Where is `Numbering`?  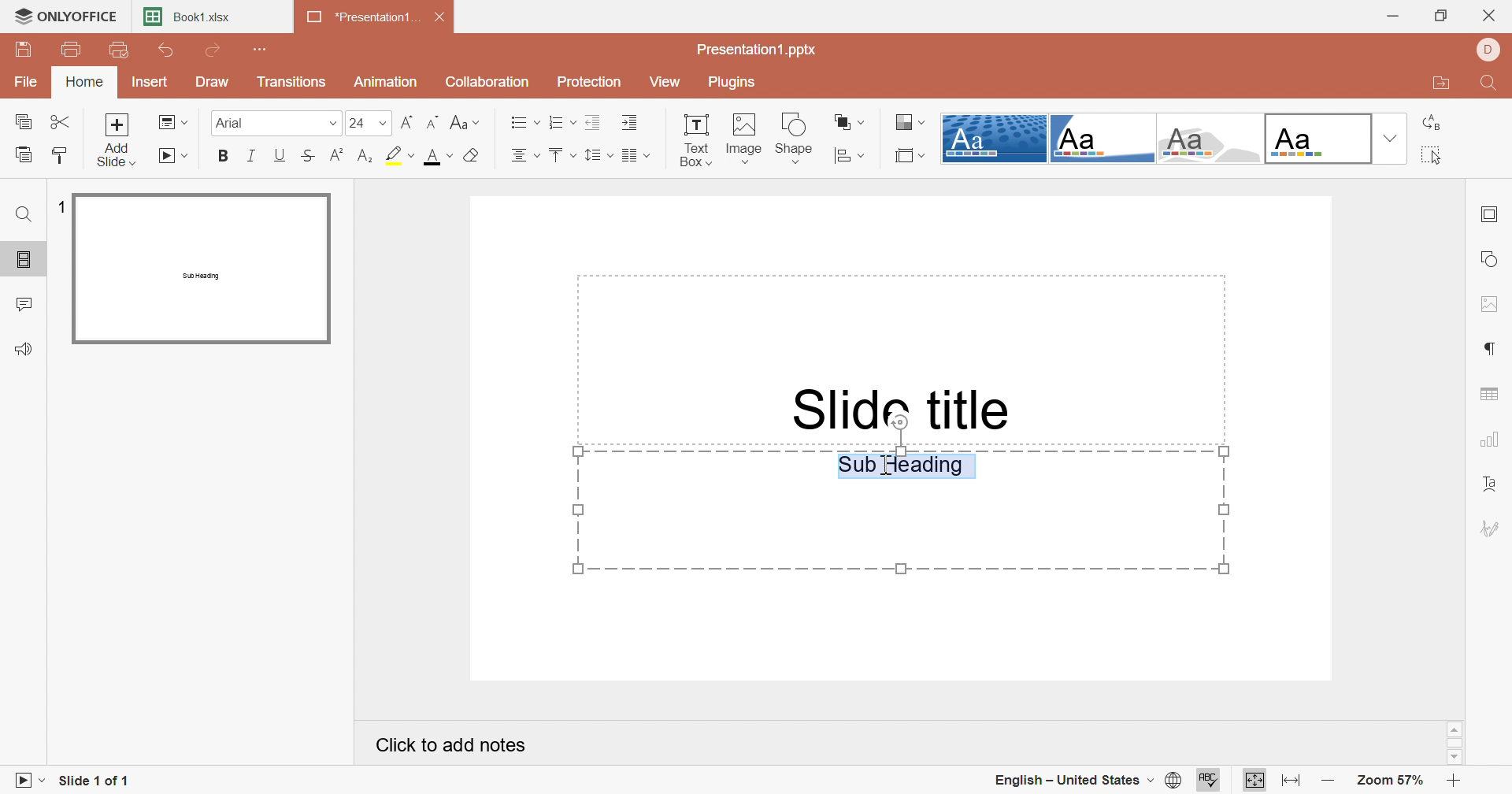
Numbering is located at coordinates (561, 121).